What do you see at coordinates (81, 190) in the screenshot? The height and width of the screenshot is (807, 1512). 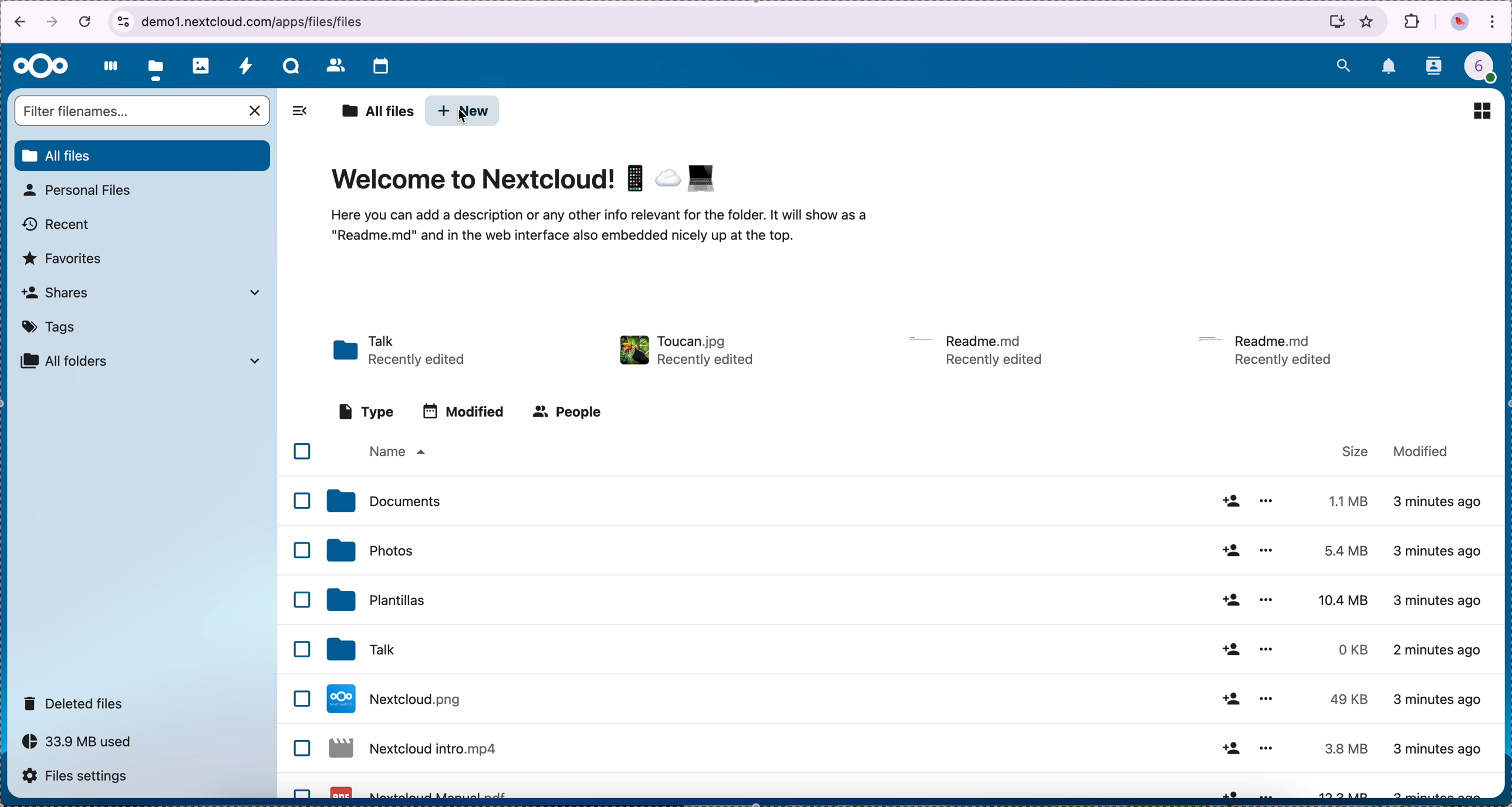 I see `personal files` at bounding box center [81, 190].